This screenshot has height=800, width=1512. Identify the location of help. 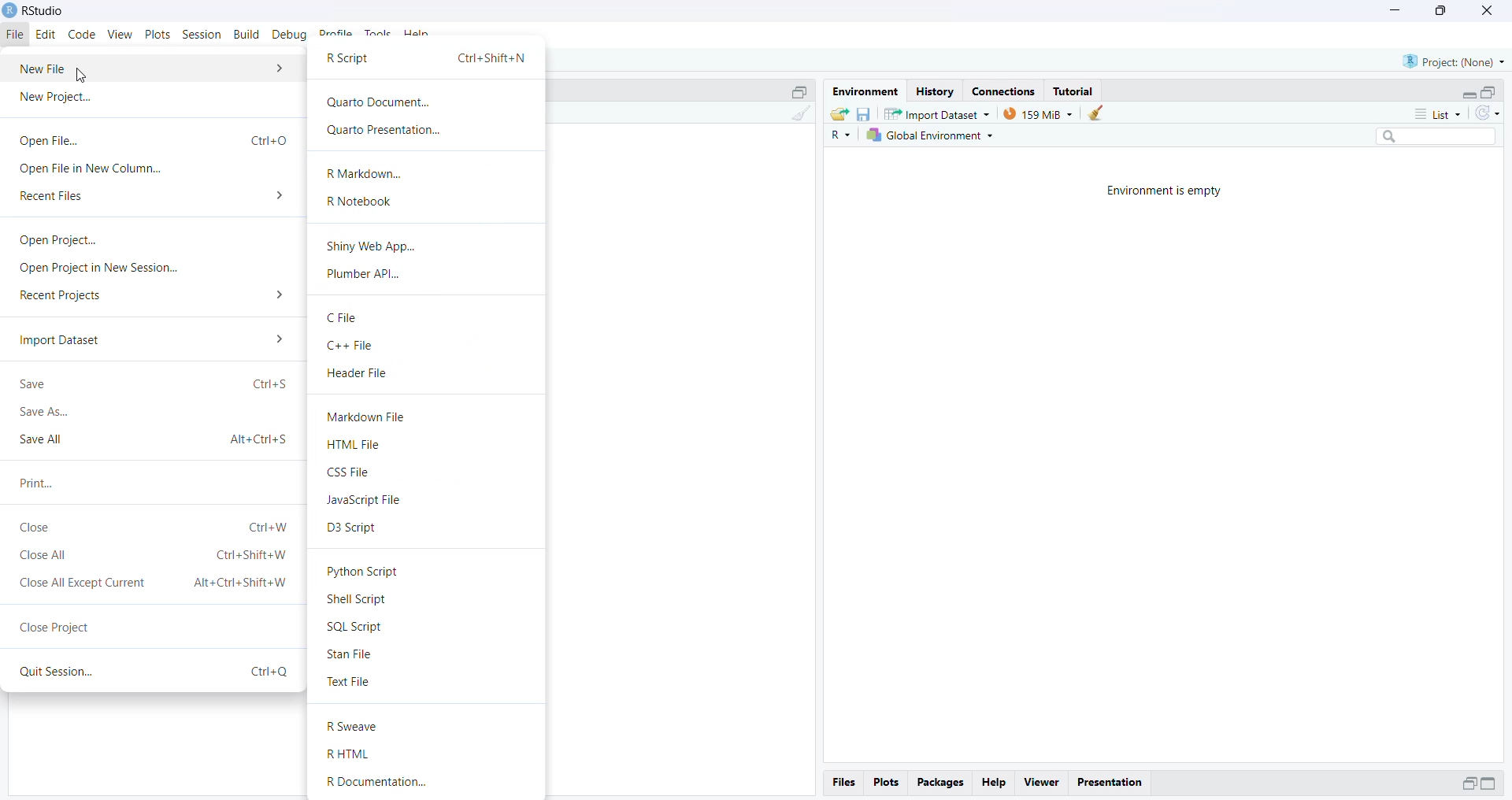
(418, 35).